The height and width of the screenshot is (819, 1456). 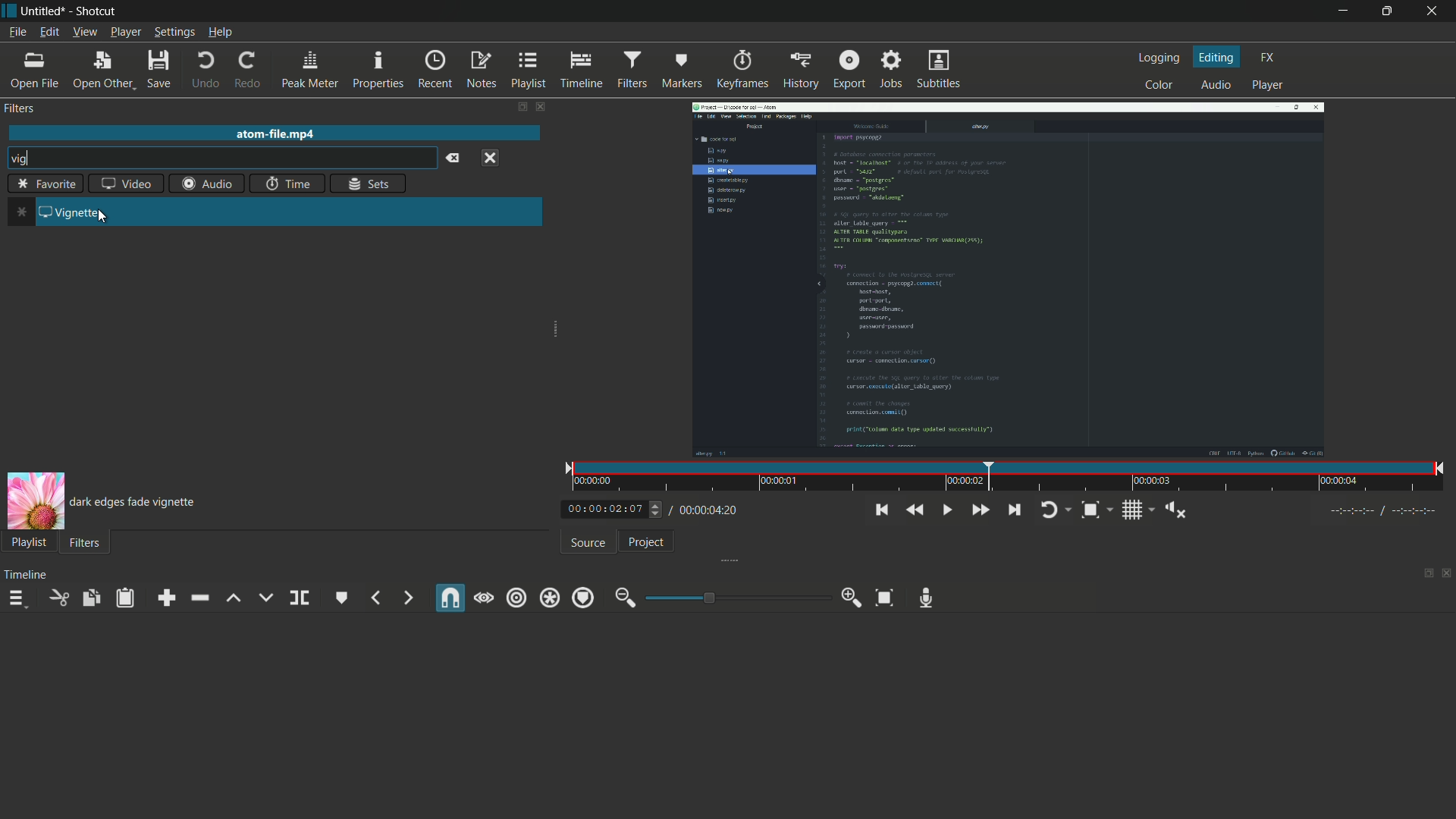 I want to click on split at playhead, so click(x=300, y=598).